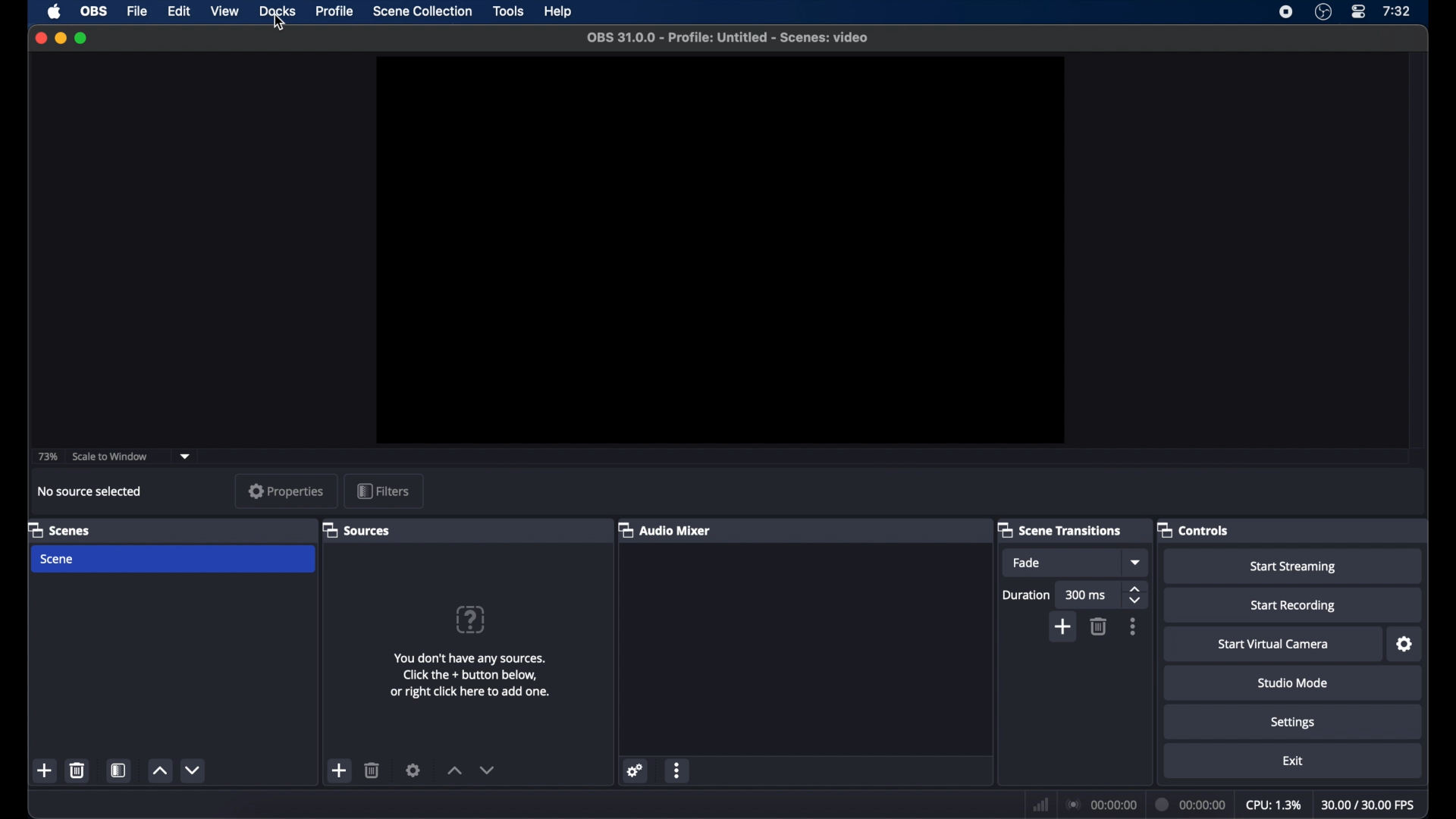 This screenshot has width=1456, height=819. Describe the element at coordinates (193, 770) in the screenshot. I see `decrement` at that location.